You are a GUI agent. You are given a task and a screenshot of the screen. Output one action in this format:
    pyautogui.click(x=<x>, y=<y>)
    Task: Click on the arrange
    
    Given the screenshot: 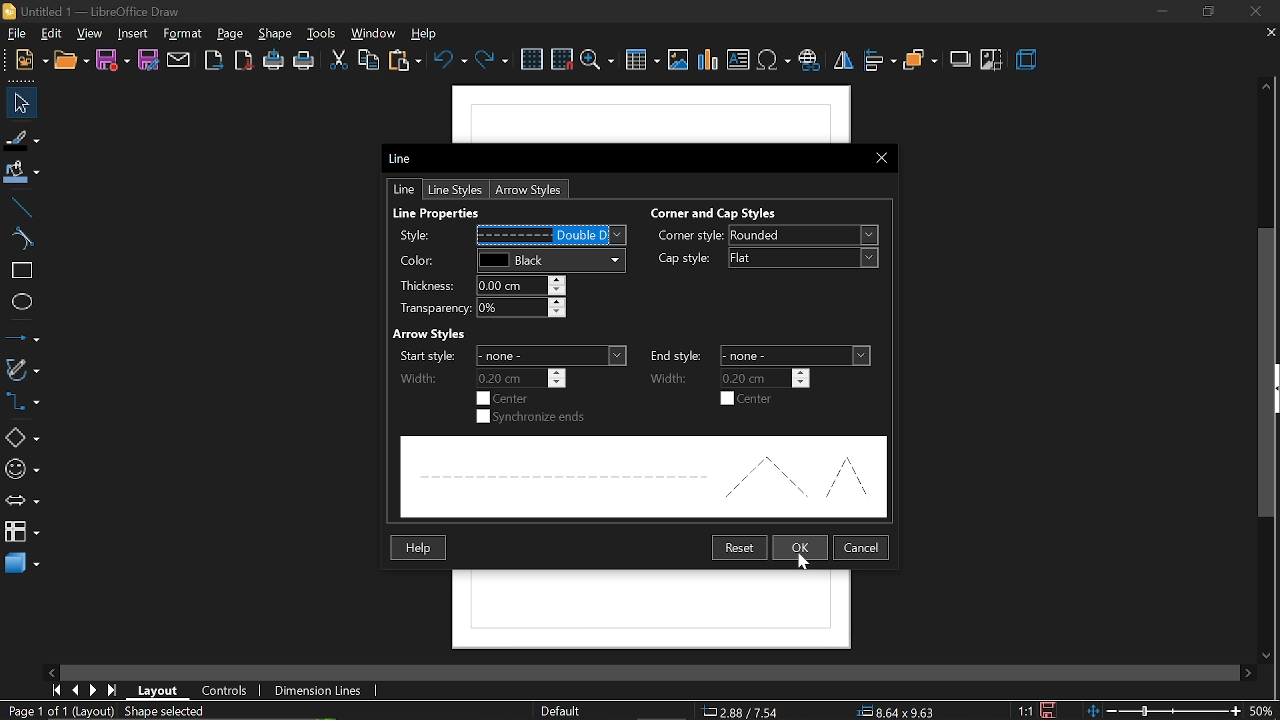 What is the action you would take?
    pyautogui.click(x=921, y=59)
    